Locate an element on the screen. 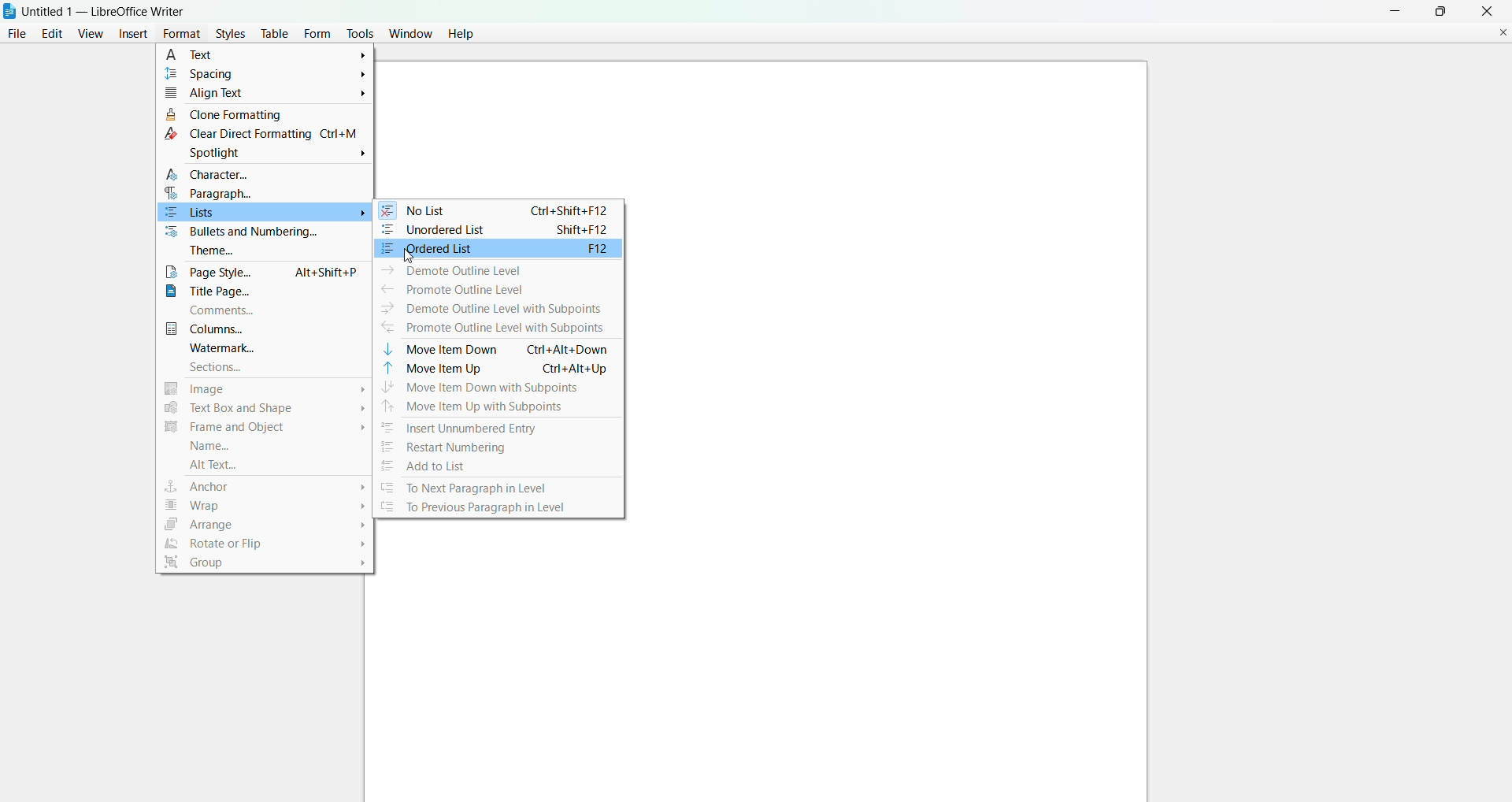  alt text is located at coordinates (228, 466).